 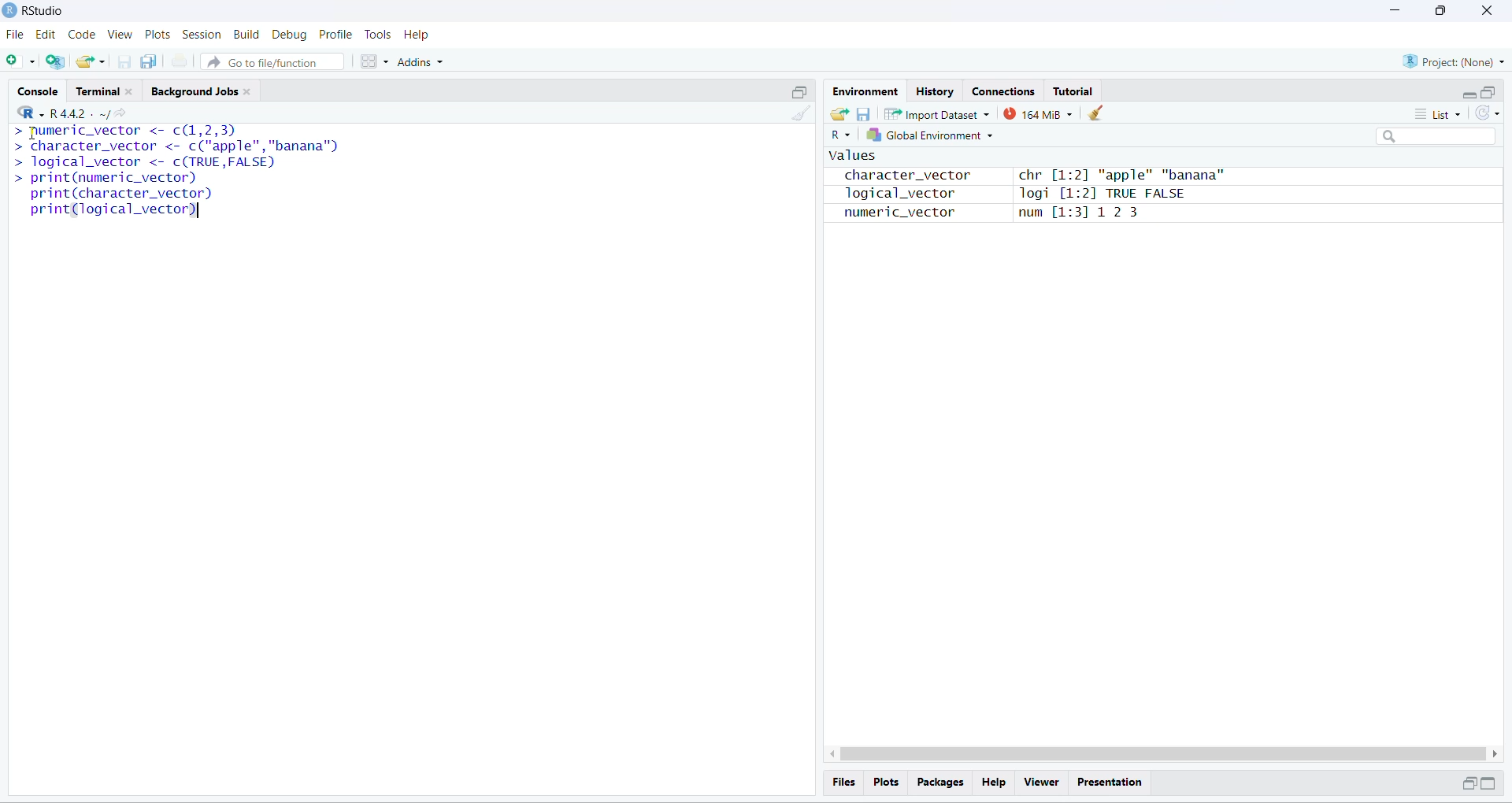 I want to click on Connections, so click(x=1002, y=90).